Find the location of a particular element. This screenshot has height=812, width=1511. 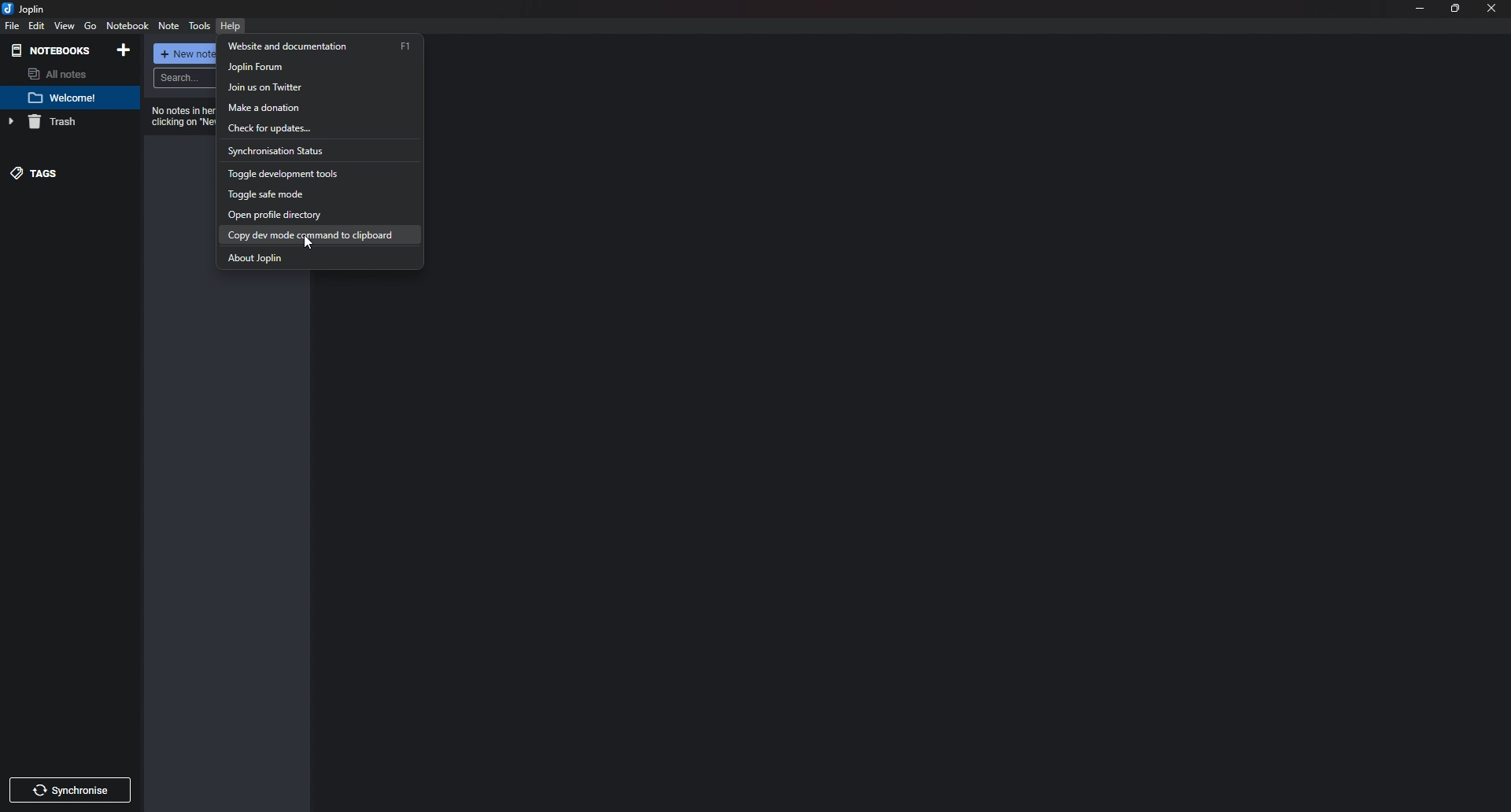

Joplin forum is located at coordinates (312, 66).